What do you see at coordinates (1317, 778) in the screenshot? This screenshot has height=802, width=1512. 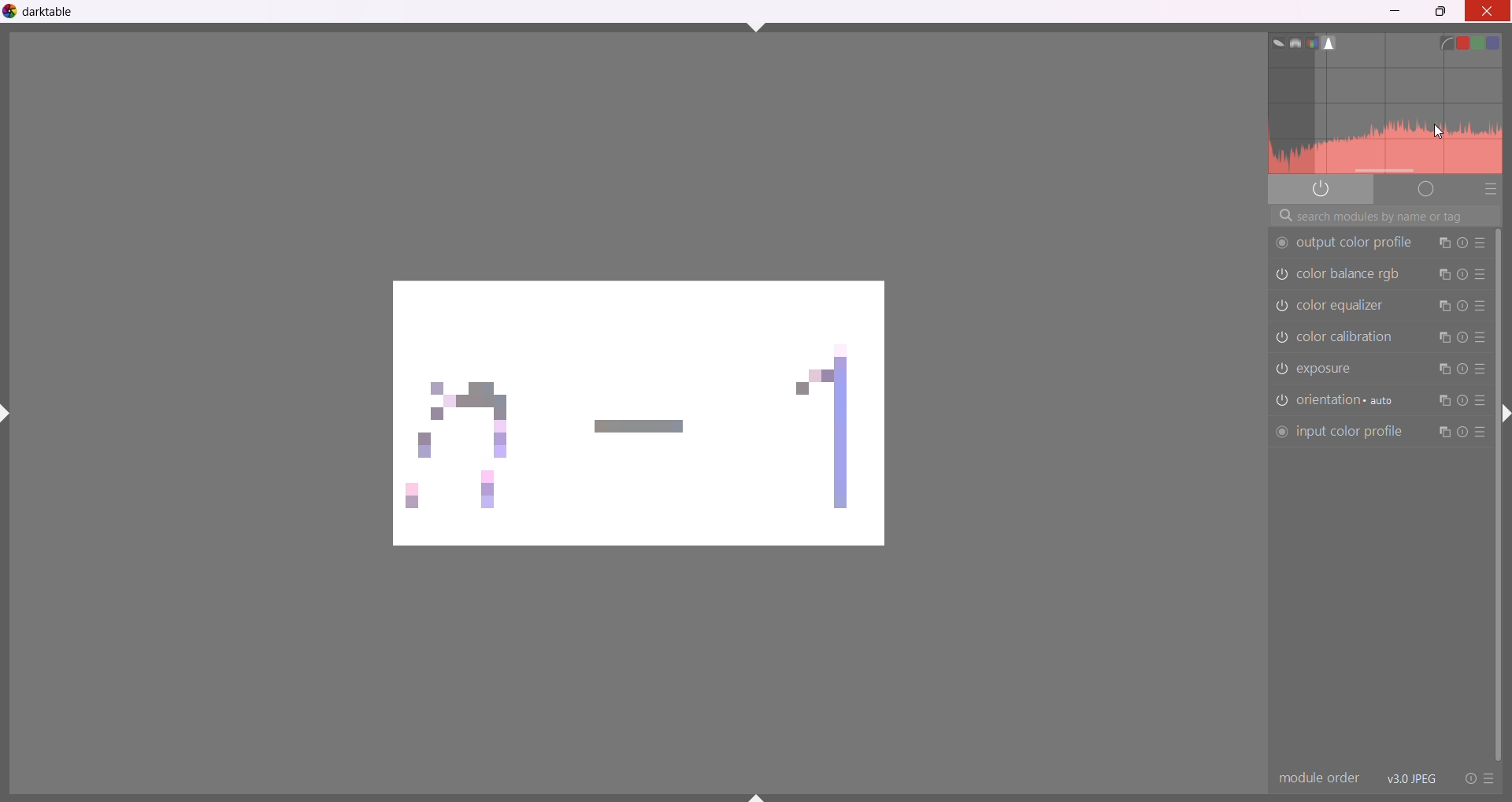 I see `module order` at bounding box center [1317, 778].